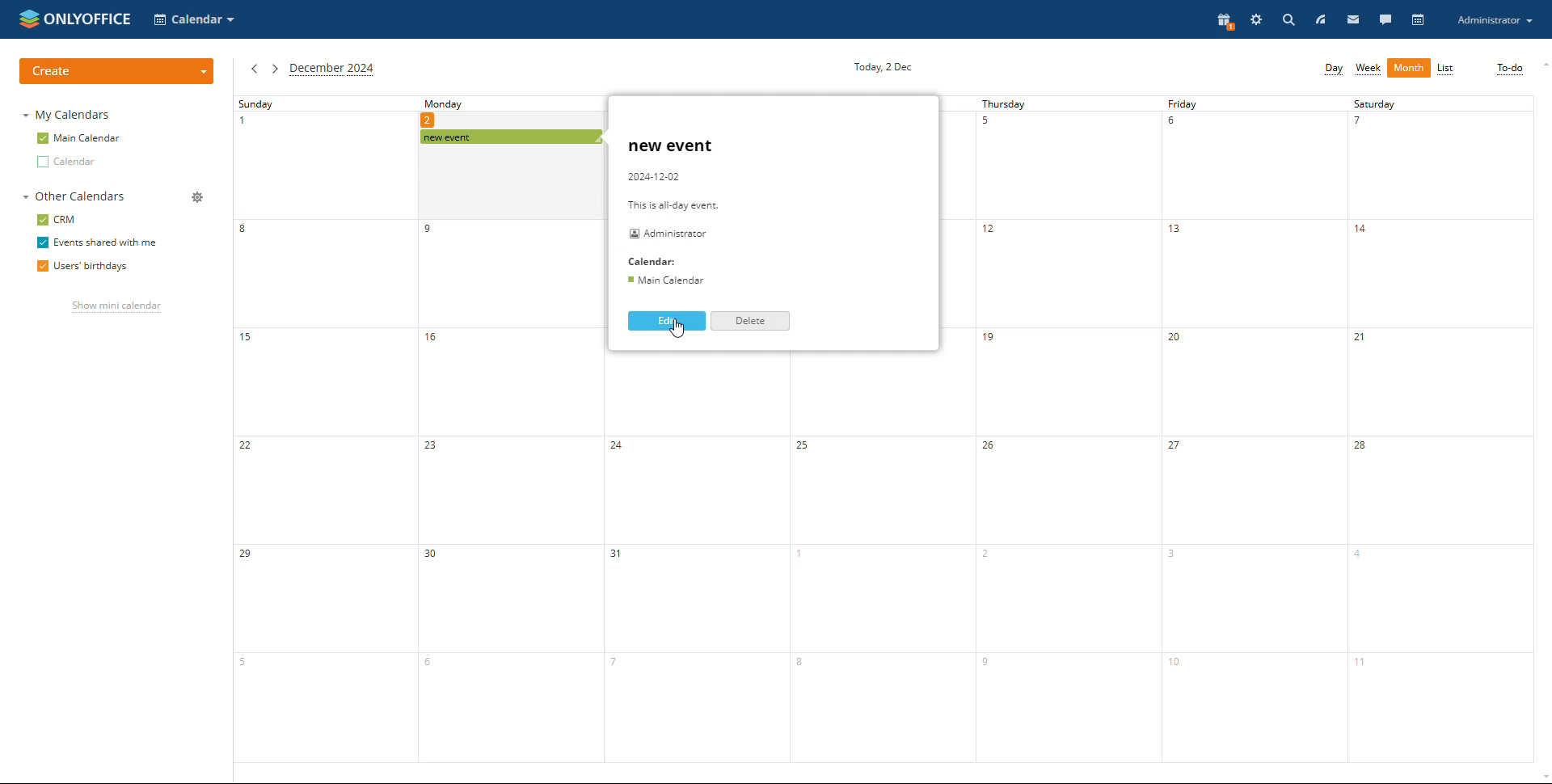  I want to click on other calendars, so click(74, 196).